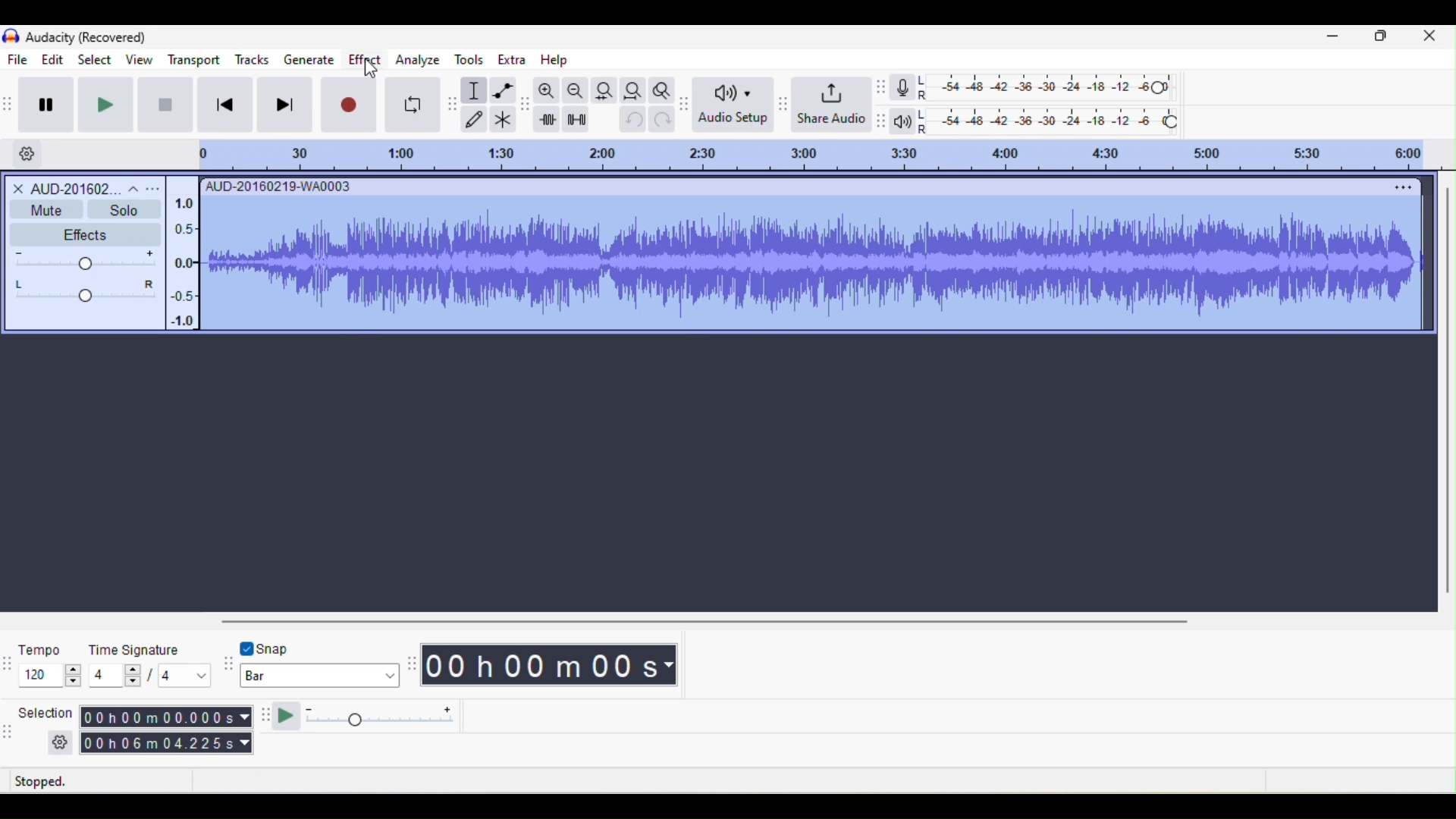 This screenshot has width=1456, height=819. What do you see at coordinates (475, 91) in the screenshot?
I see `selection tool` at bounding box center [475, 91].